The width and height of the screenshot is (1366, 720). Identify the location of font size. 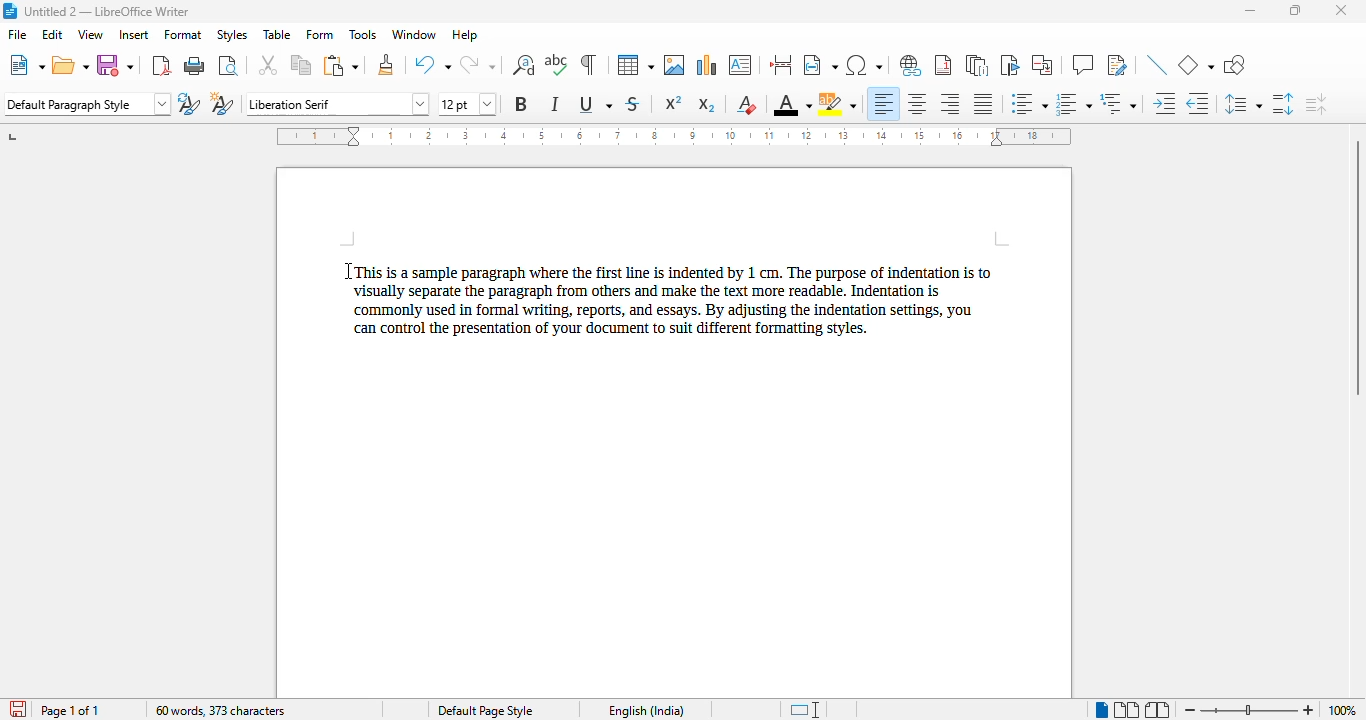
(466, 104).